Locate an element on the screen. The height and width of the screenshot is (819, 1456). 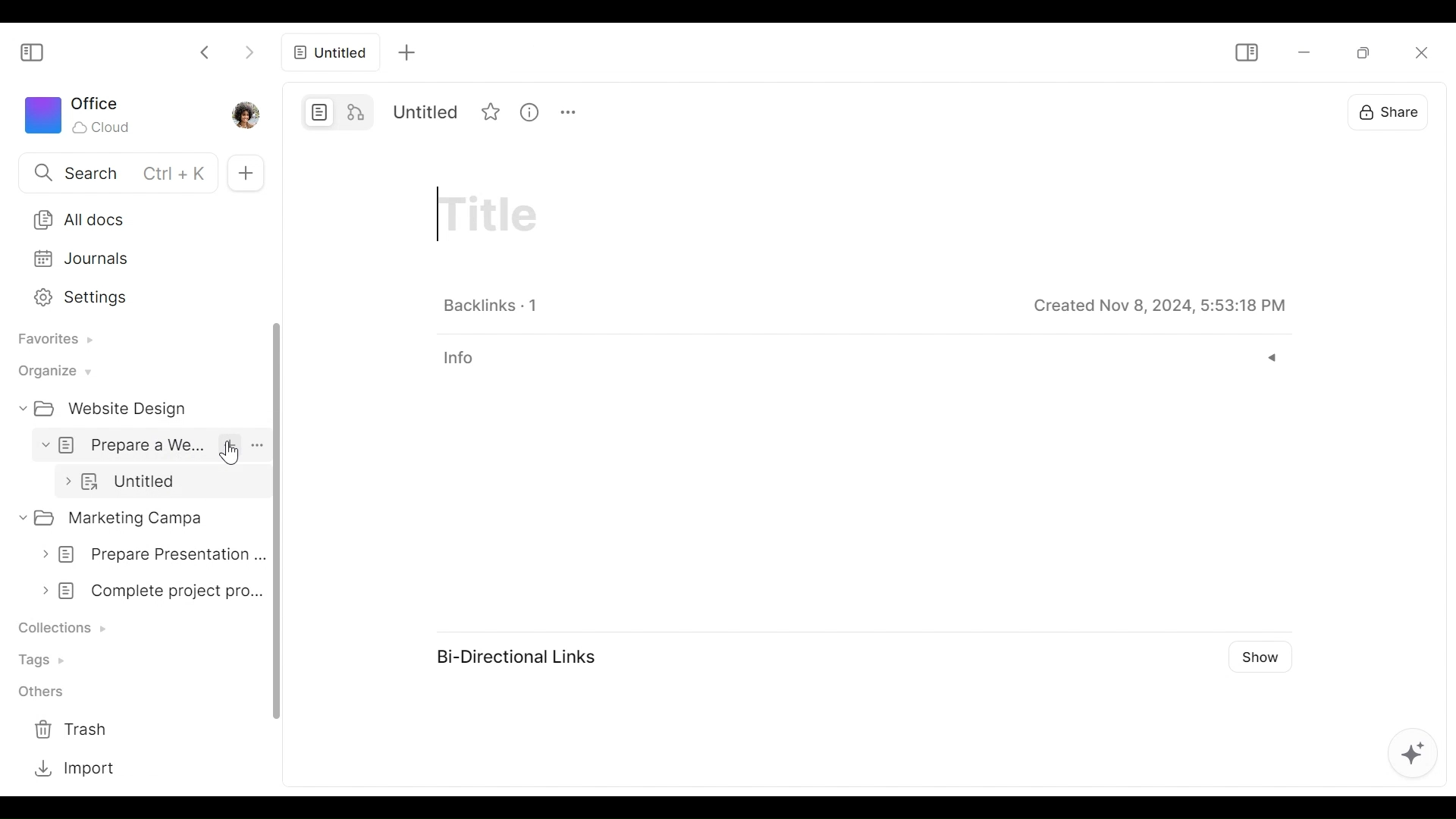
Profile Photo is located at coordinates (244, 114).